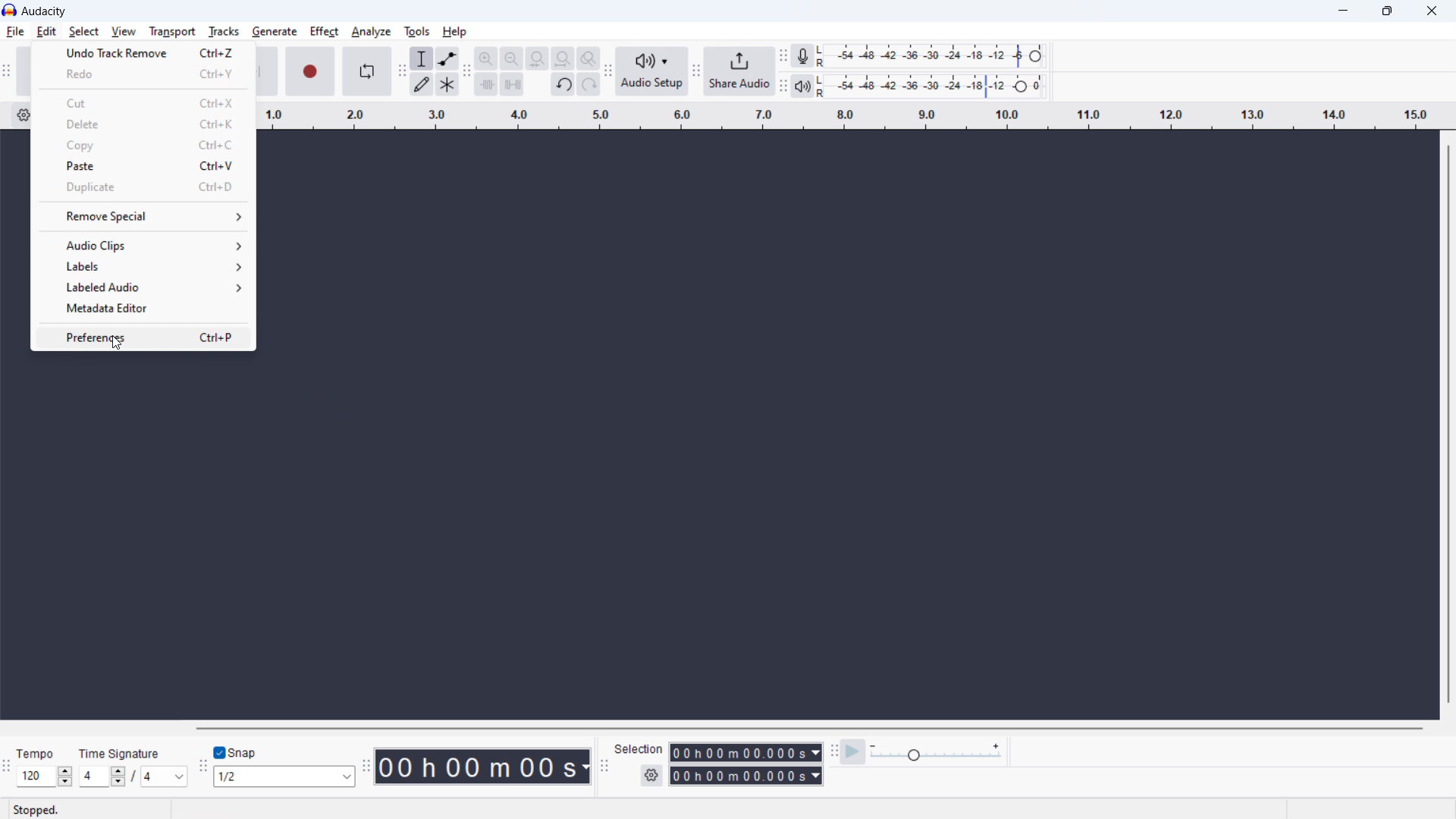 This screenshot has height=819, width=1456. I want to click on maximize, so click(1387, 12).